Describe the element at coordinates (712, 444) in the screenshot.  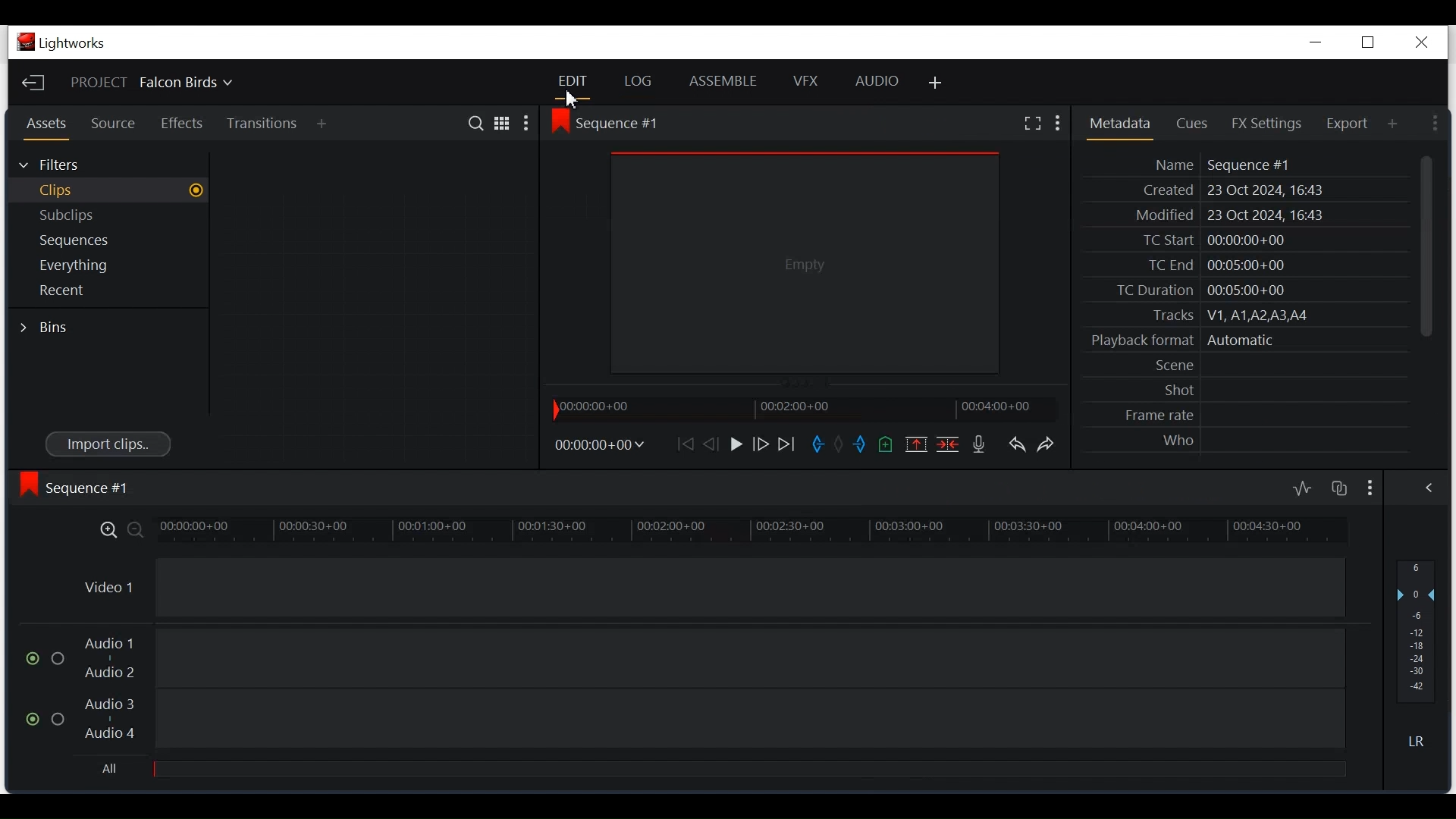
I see `Nudge one frame back` at that location.